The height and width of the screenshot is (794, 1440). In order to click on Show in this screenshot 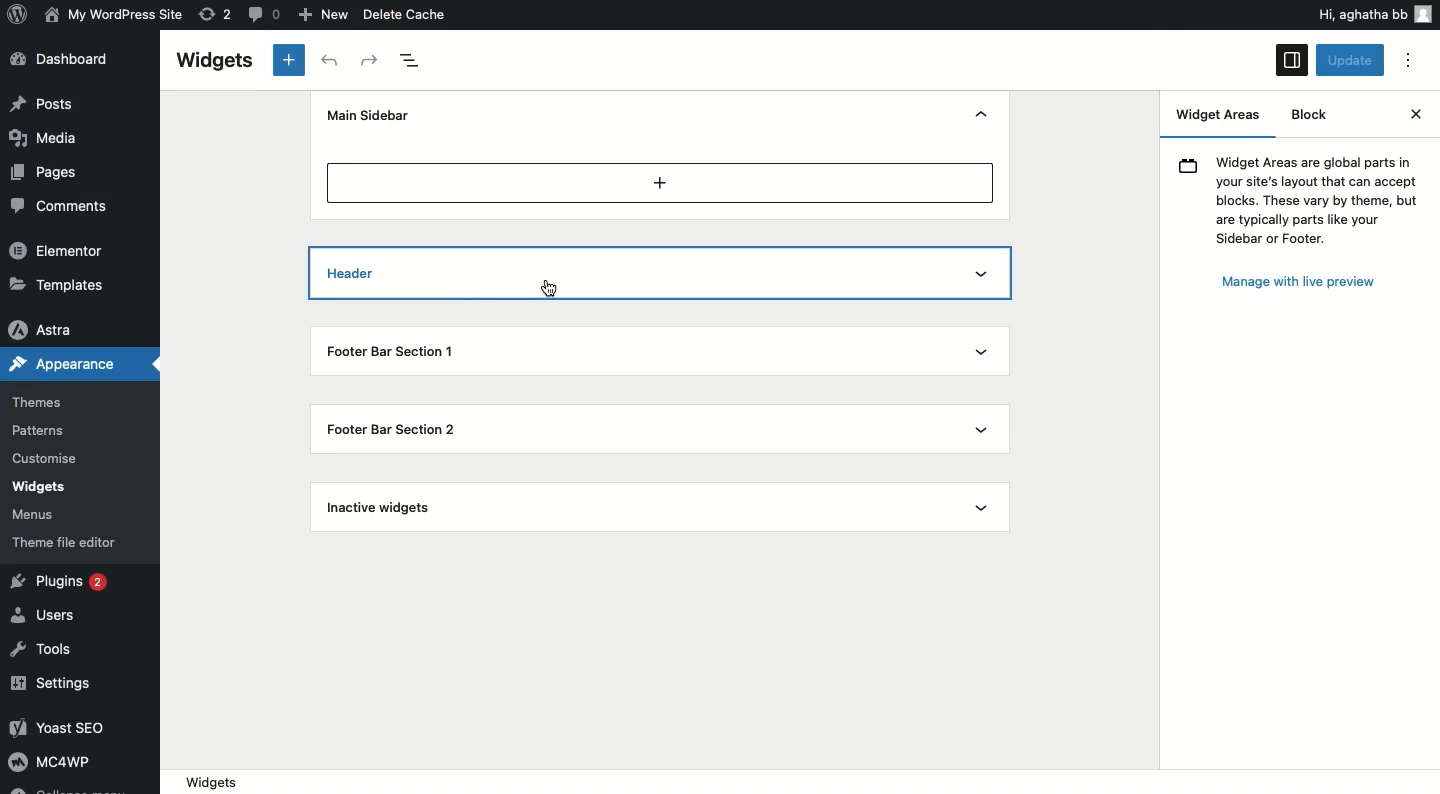, I will do `click(978, 429)`.